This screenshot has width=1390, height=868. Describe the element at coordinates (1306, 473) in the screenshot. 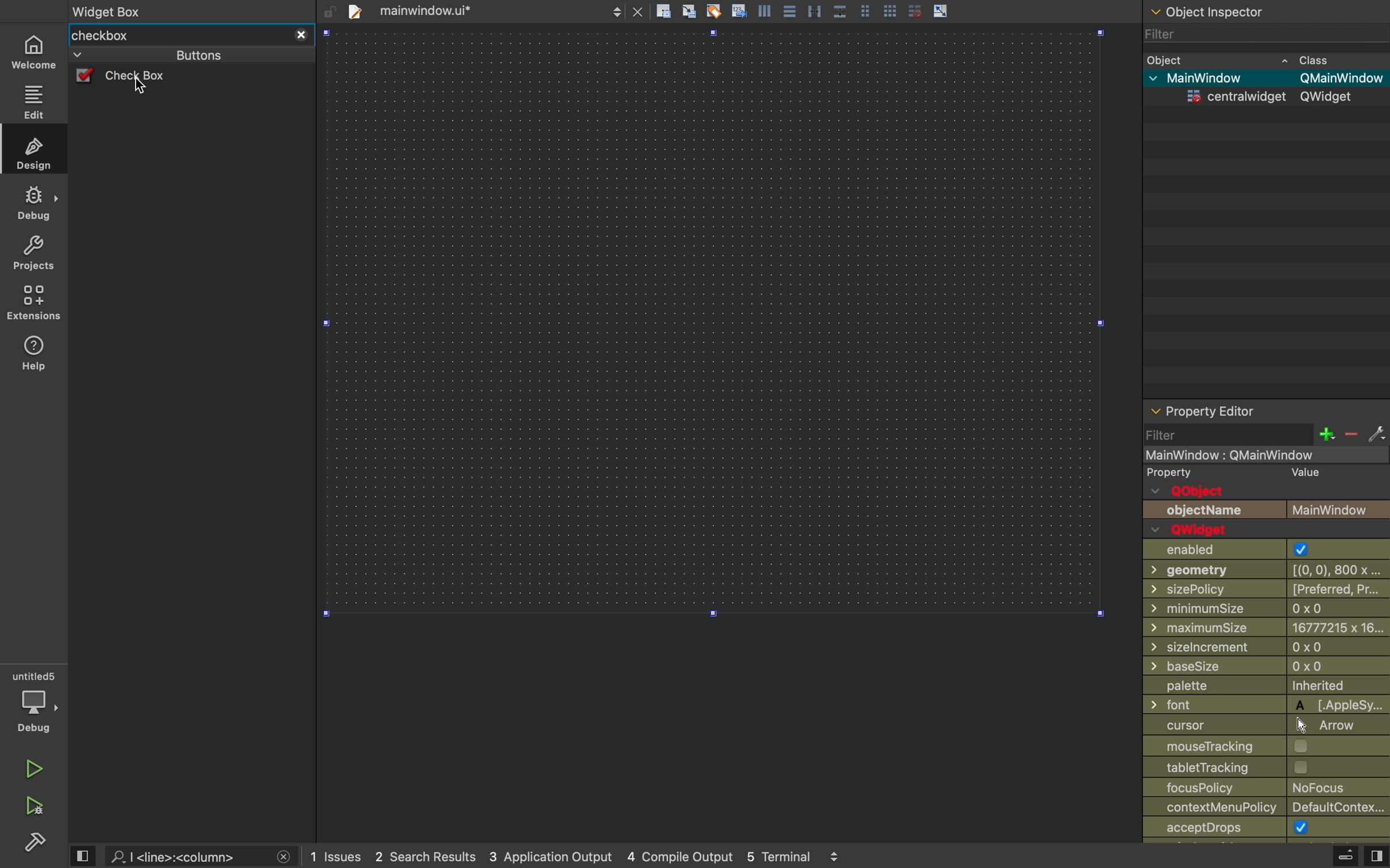

I see `Value` at that location.